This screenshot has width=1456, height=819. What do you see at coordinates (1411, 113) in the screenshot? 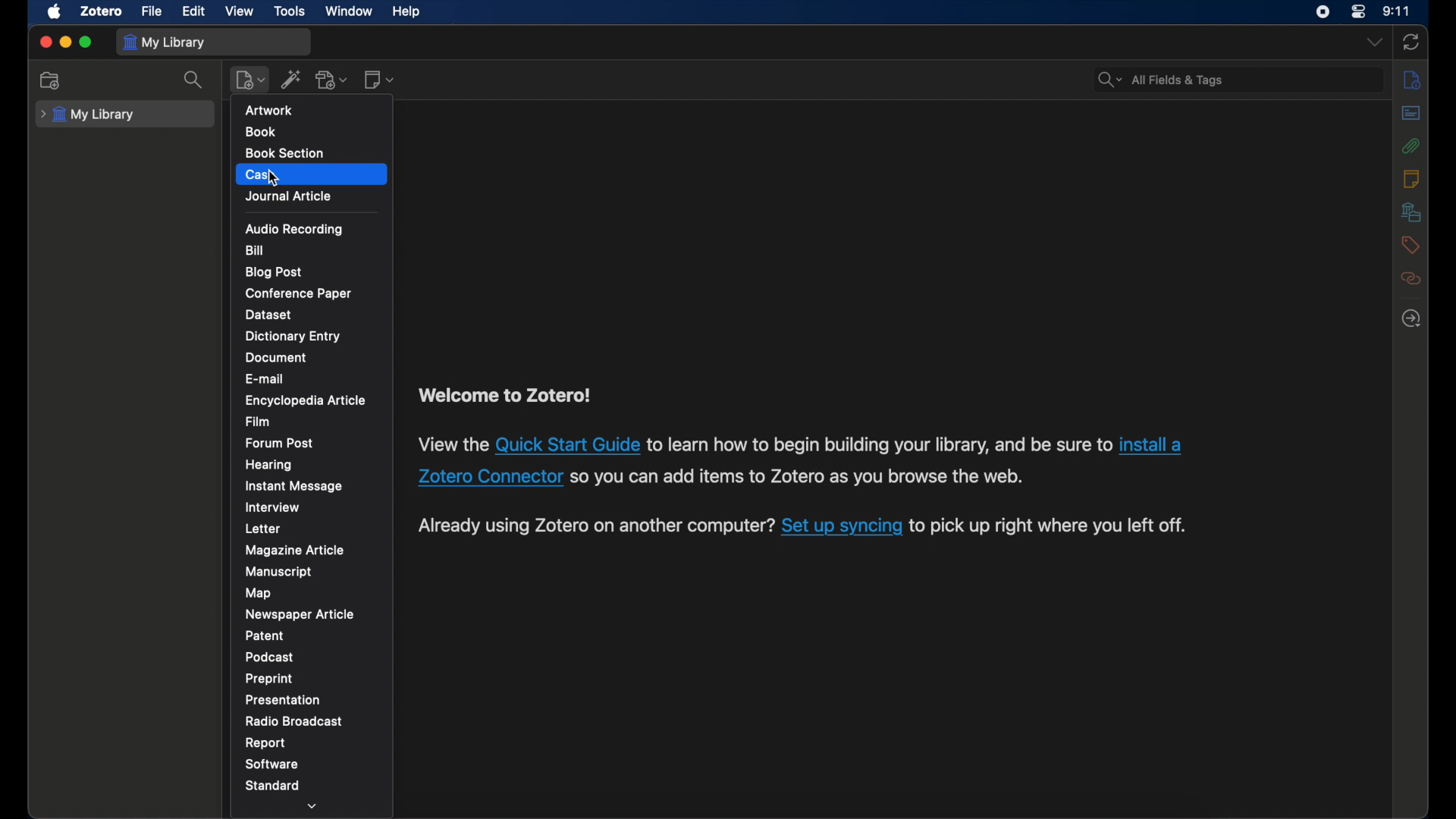
I see `abstract` at bounding box center [1411, 113].